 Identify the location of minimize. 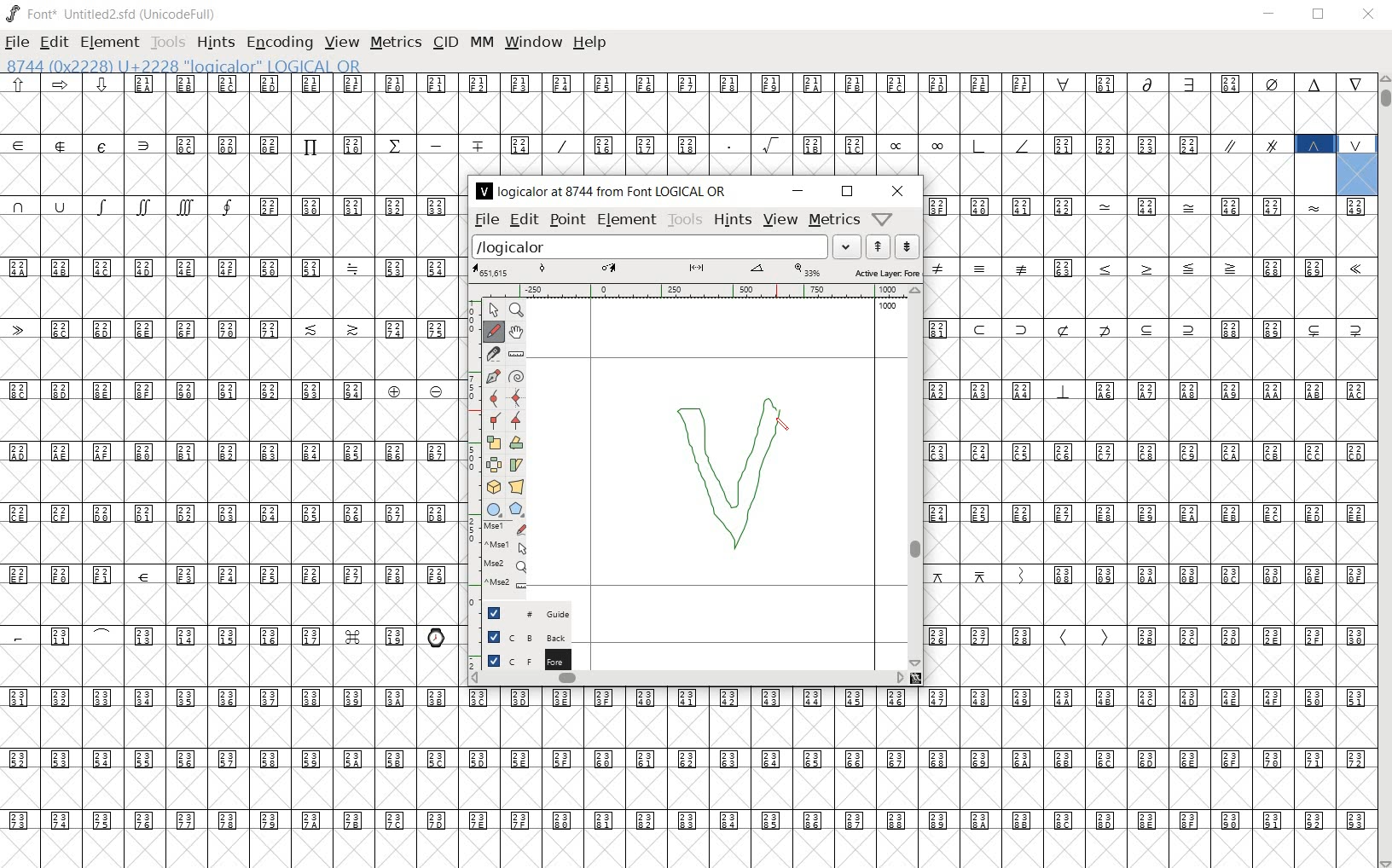
(799, 189).